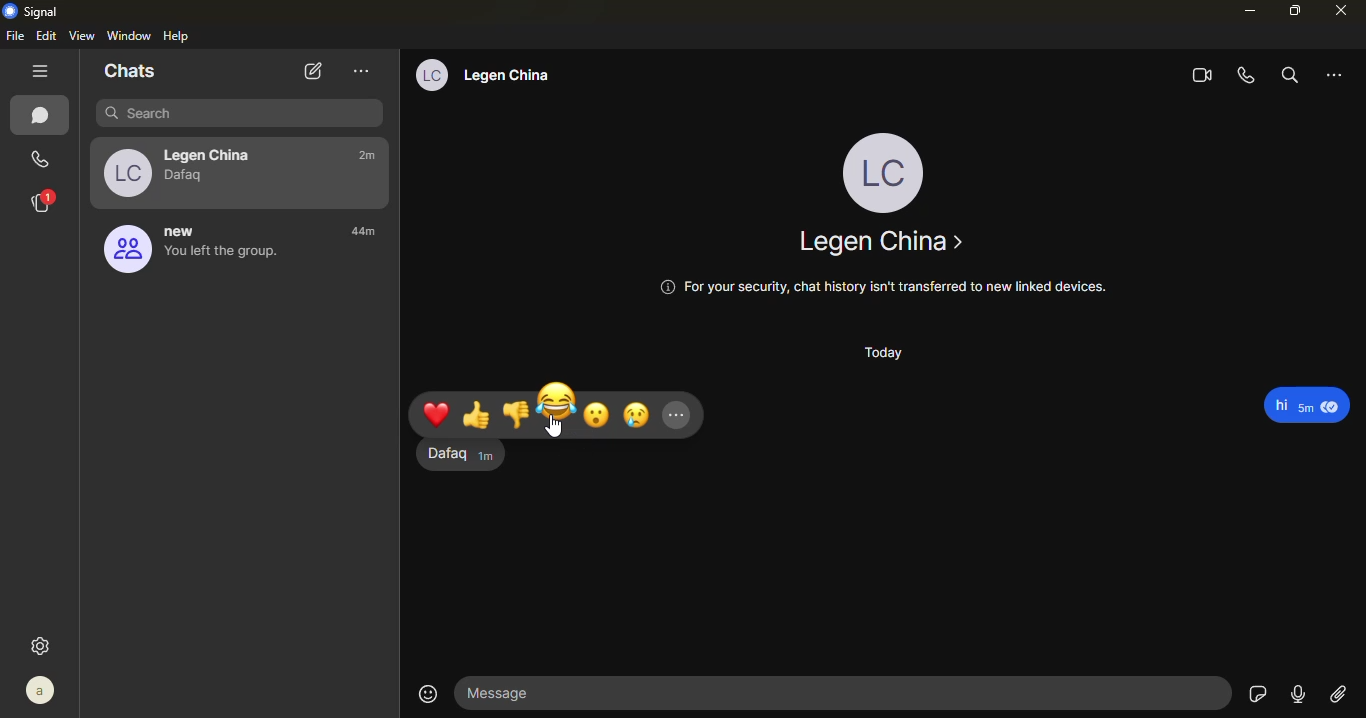 The width and height of the screenshot is (1366, 718). What do you see at coordinates (83, 35) in the screenshot?
I see `view` at bounding box center [83, 35].